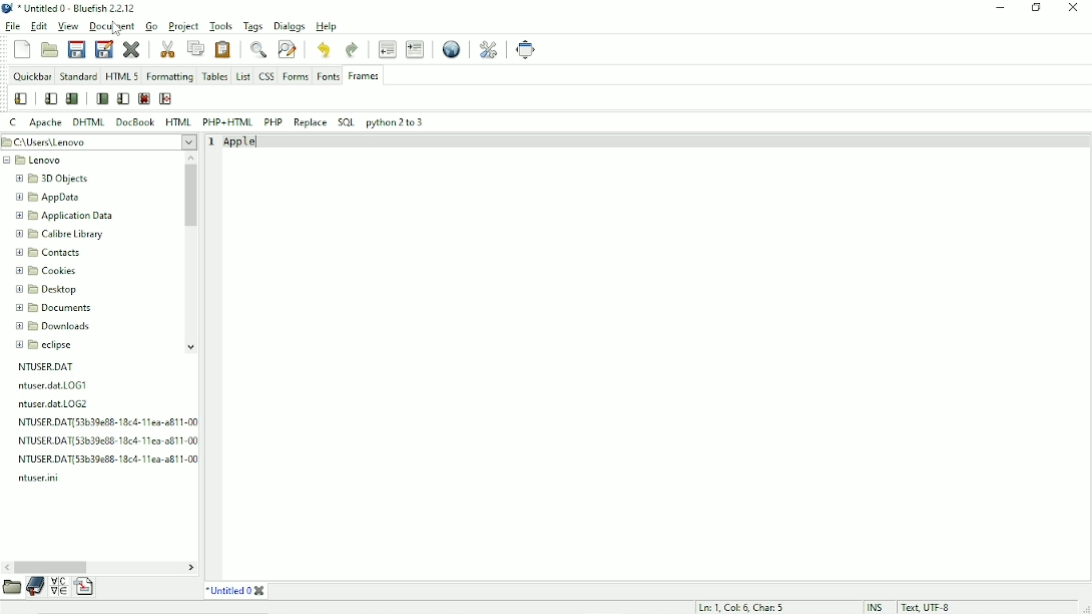 Image resolution: width=1092 pixels, height=614 pixels. What do you see at coordinates (1074, 9) in the screenshot?
I see `Close` at bounding box center [1074, 9].